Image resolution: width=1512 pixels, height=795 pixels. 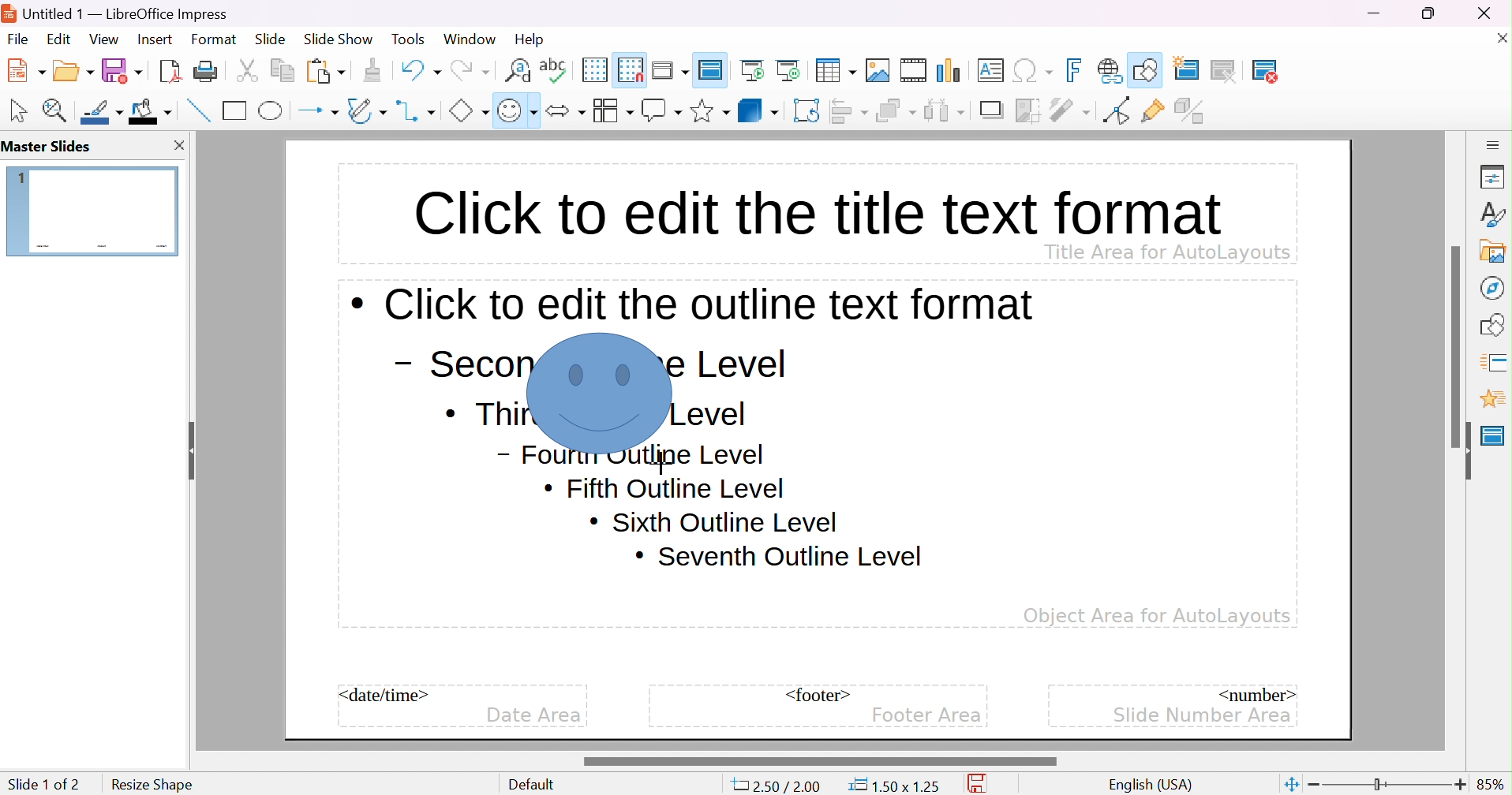 What do you see at coordinates (215, 39) in the screenshot?
I see `format` at bounding box center [215, 39].